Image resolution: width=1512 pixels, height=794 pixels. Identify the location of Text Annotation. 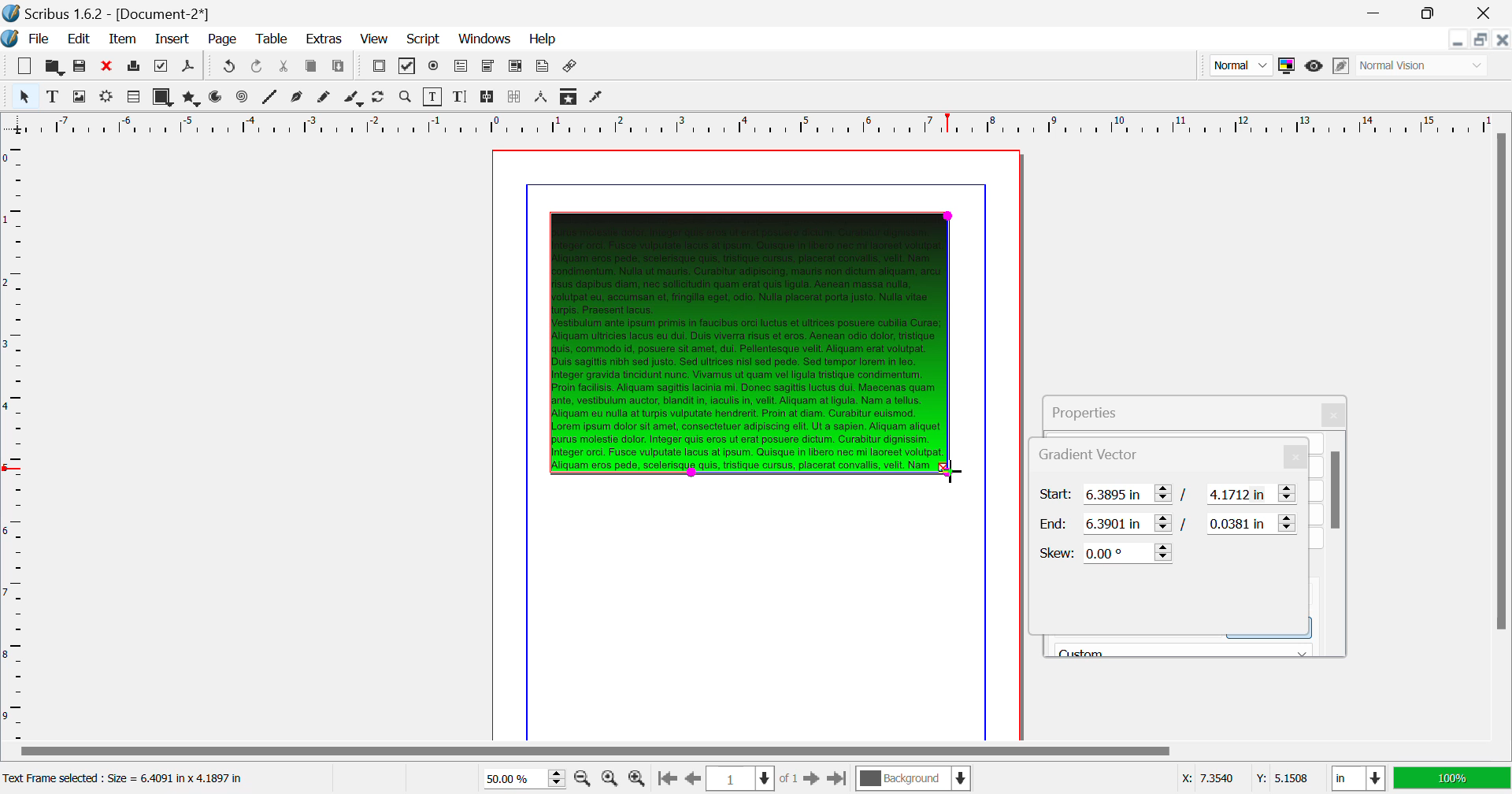
(542, 68).